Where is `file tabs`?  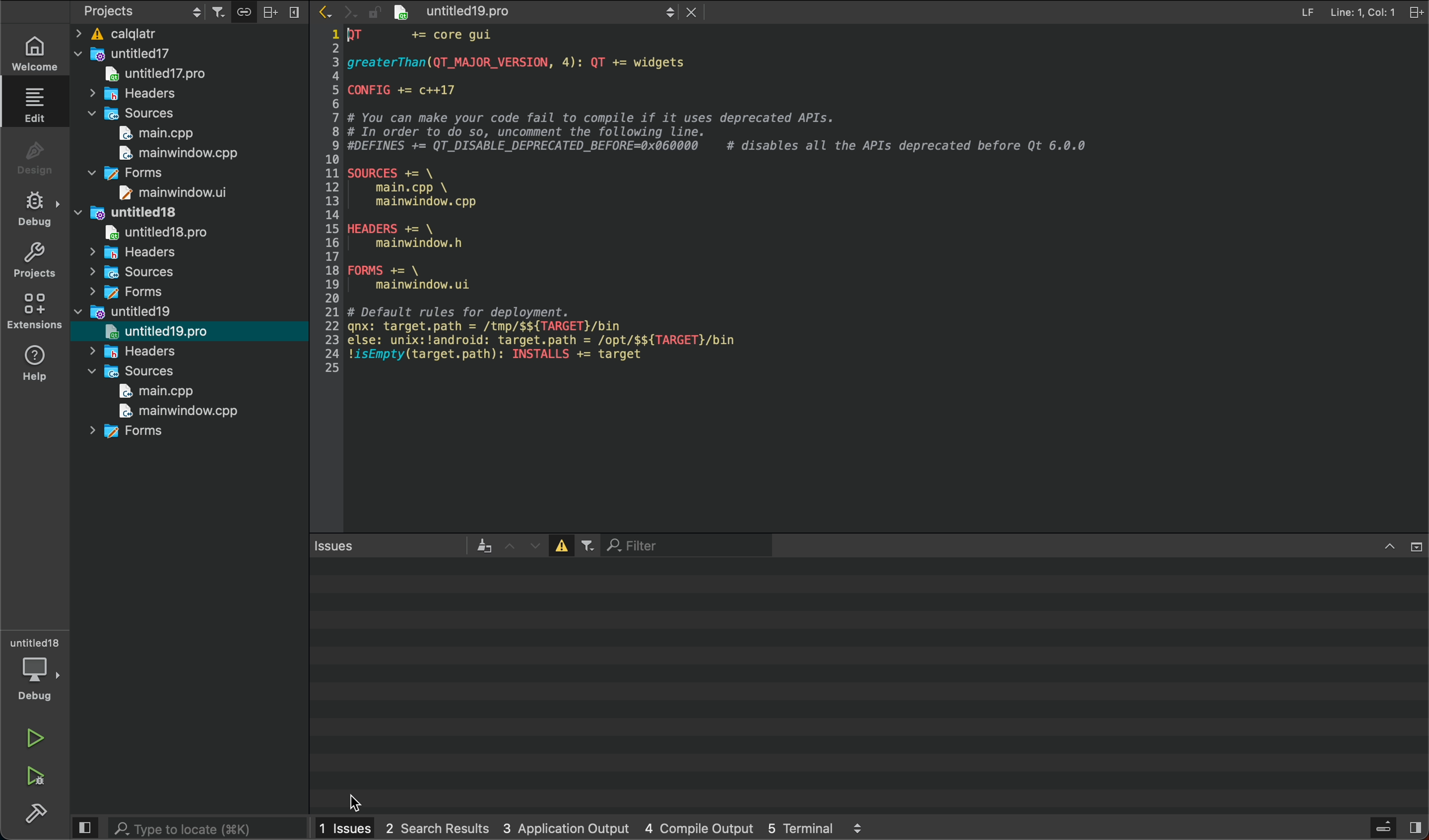 file tabs is located at coordinates (527, 10).